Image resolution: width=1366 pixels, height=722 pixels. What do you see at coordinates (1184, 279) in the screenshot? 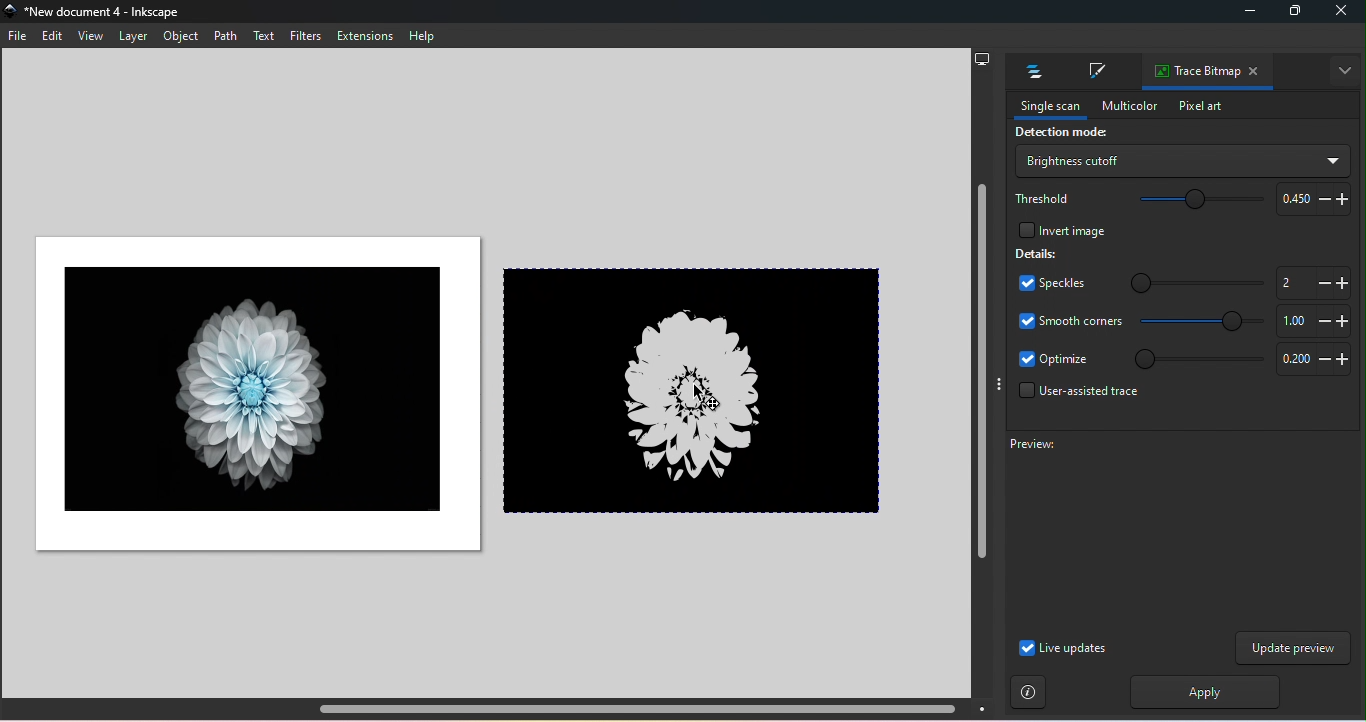
I see `Speckles slide bar` at bounding box center [1184, 279].